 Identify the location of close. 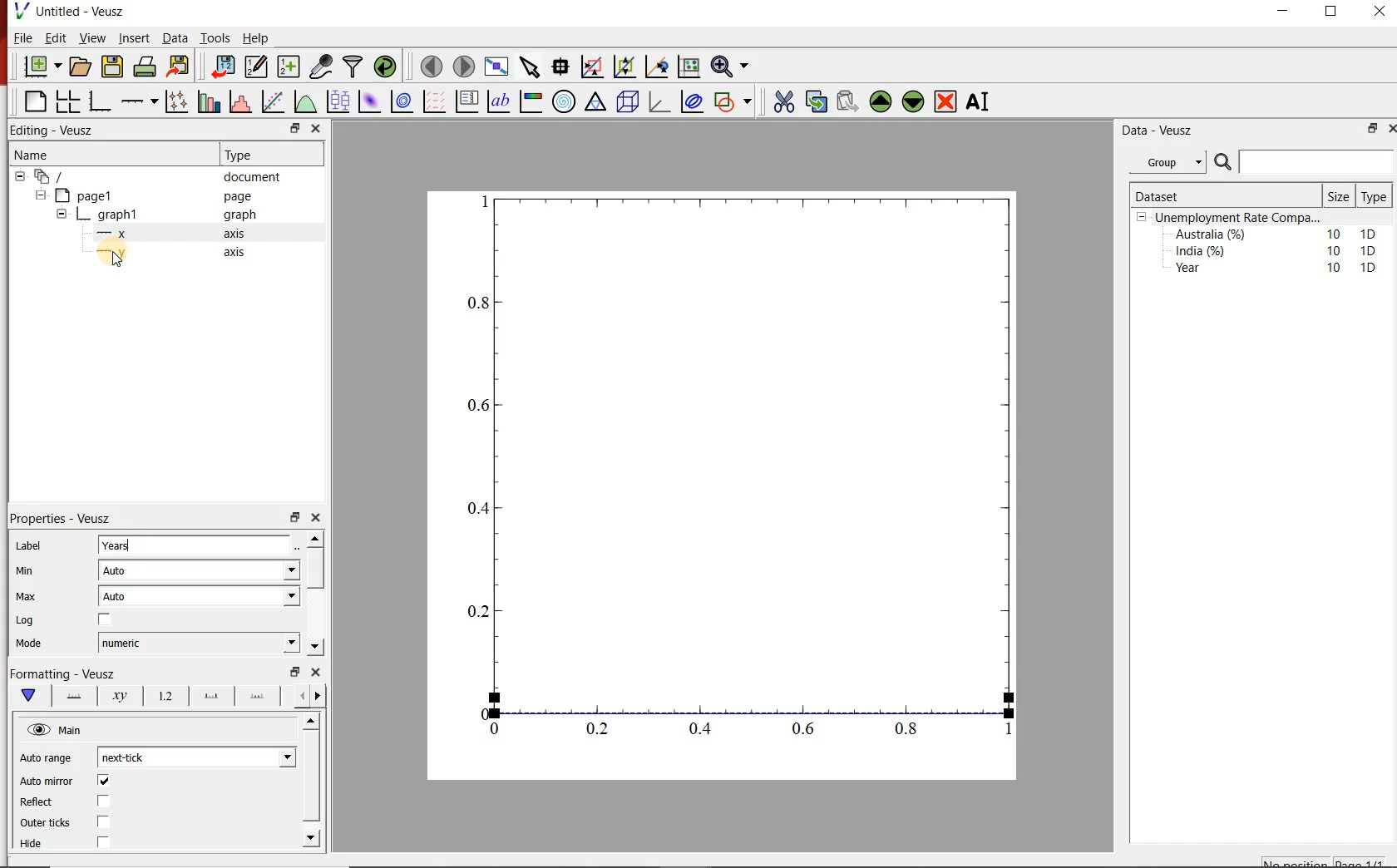
(1392, 127).